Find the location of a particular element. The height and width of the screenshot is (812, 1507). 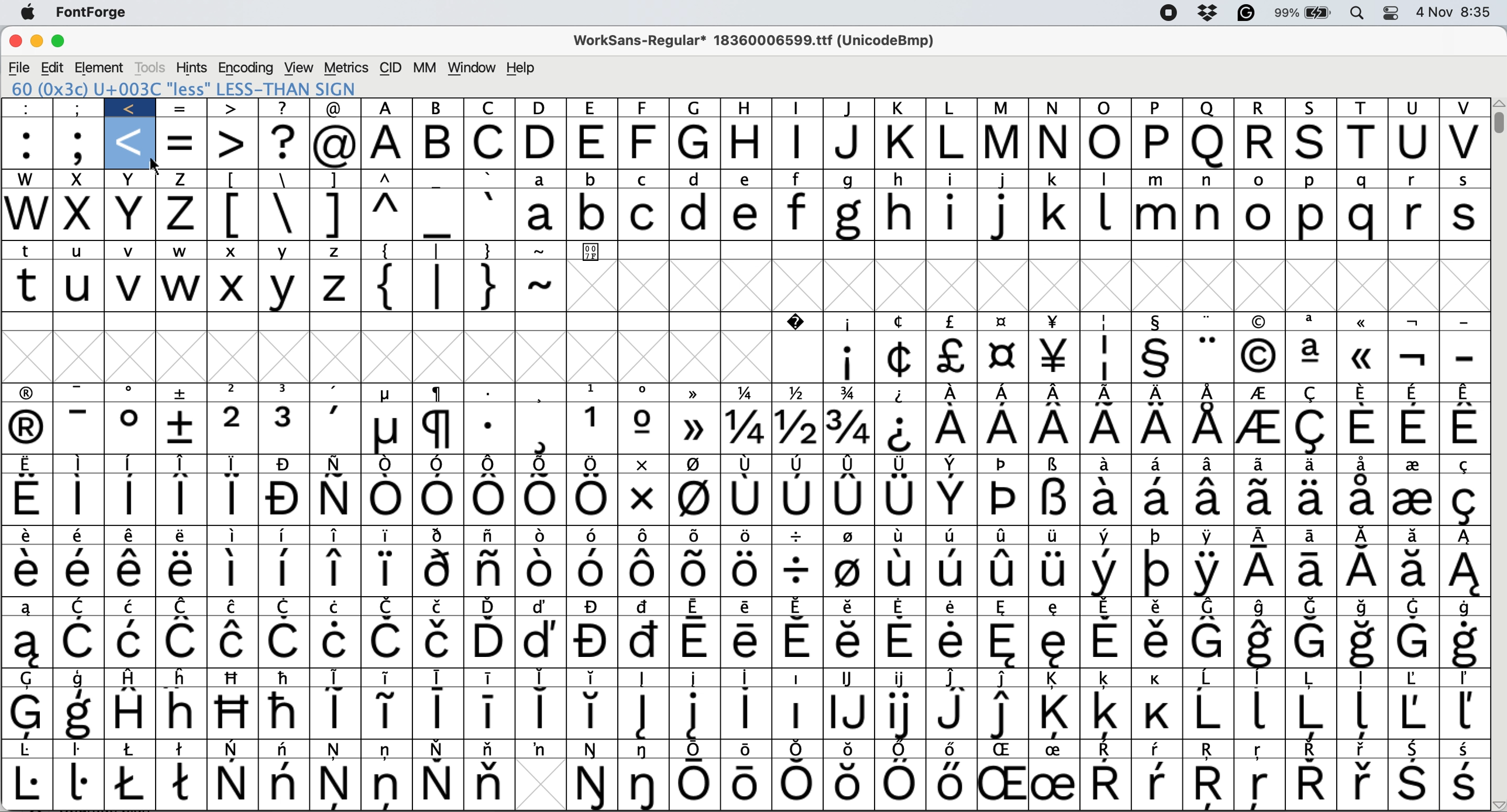

Symbol is located at coordinates (130, 429).